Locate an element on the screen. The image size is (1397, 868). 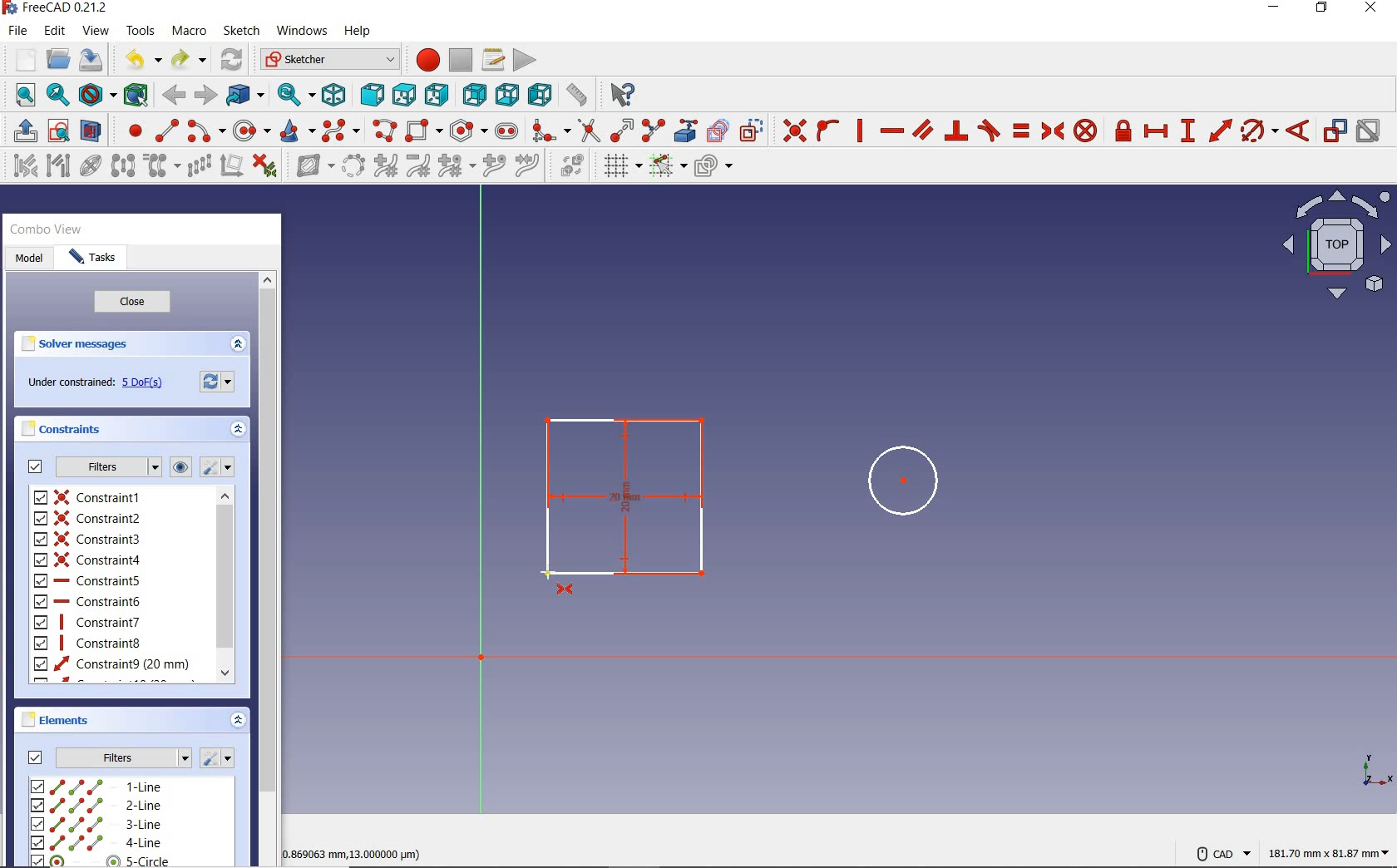
delete all constraints is located at coordinates (266, 167).